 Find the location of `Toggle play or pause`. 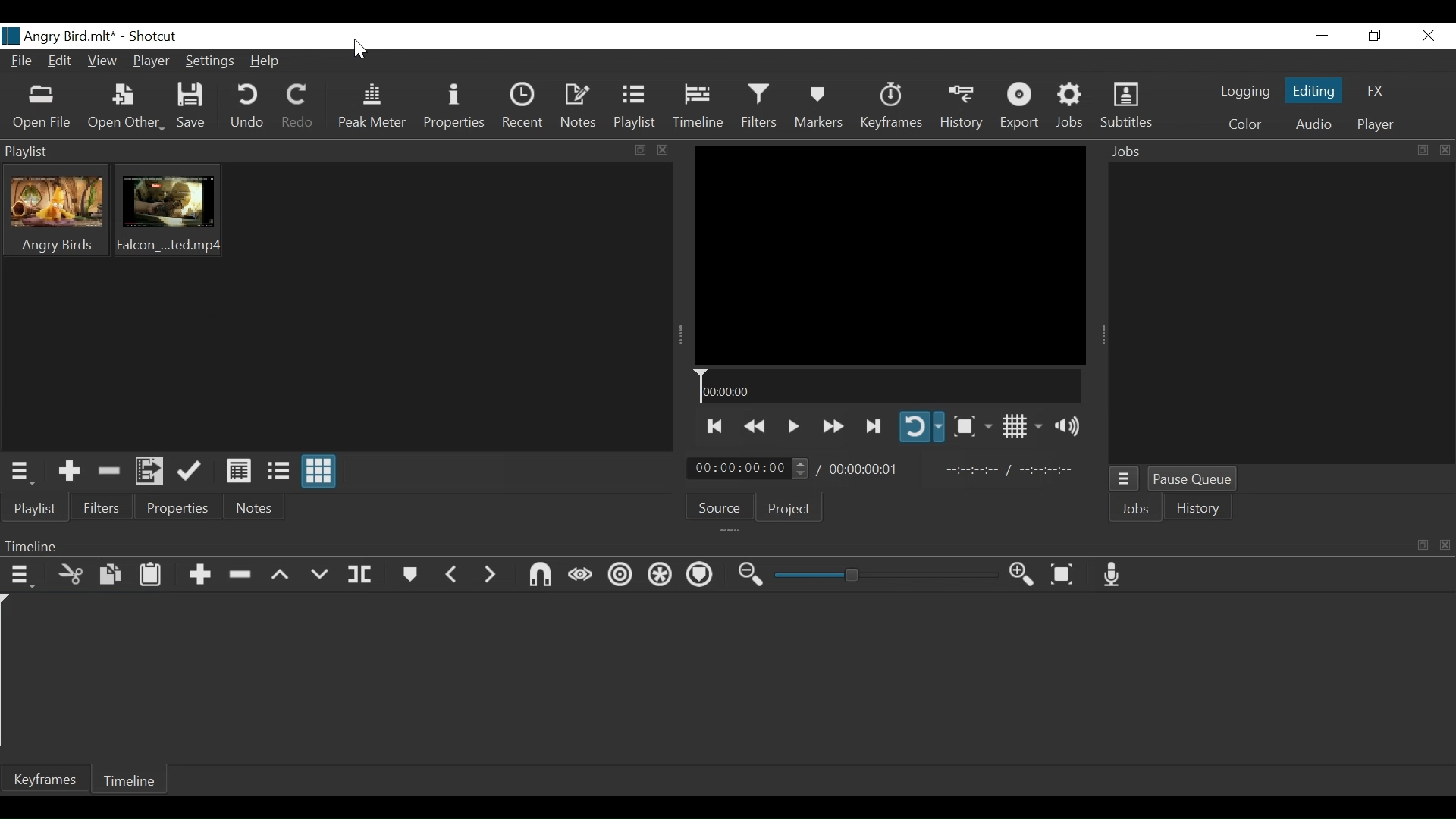

Toggle play or pause is located at coordinates (795, 427).